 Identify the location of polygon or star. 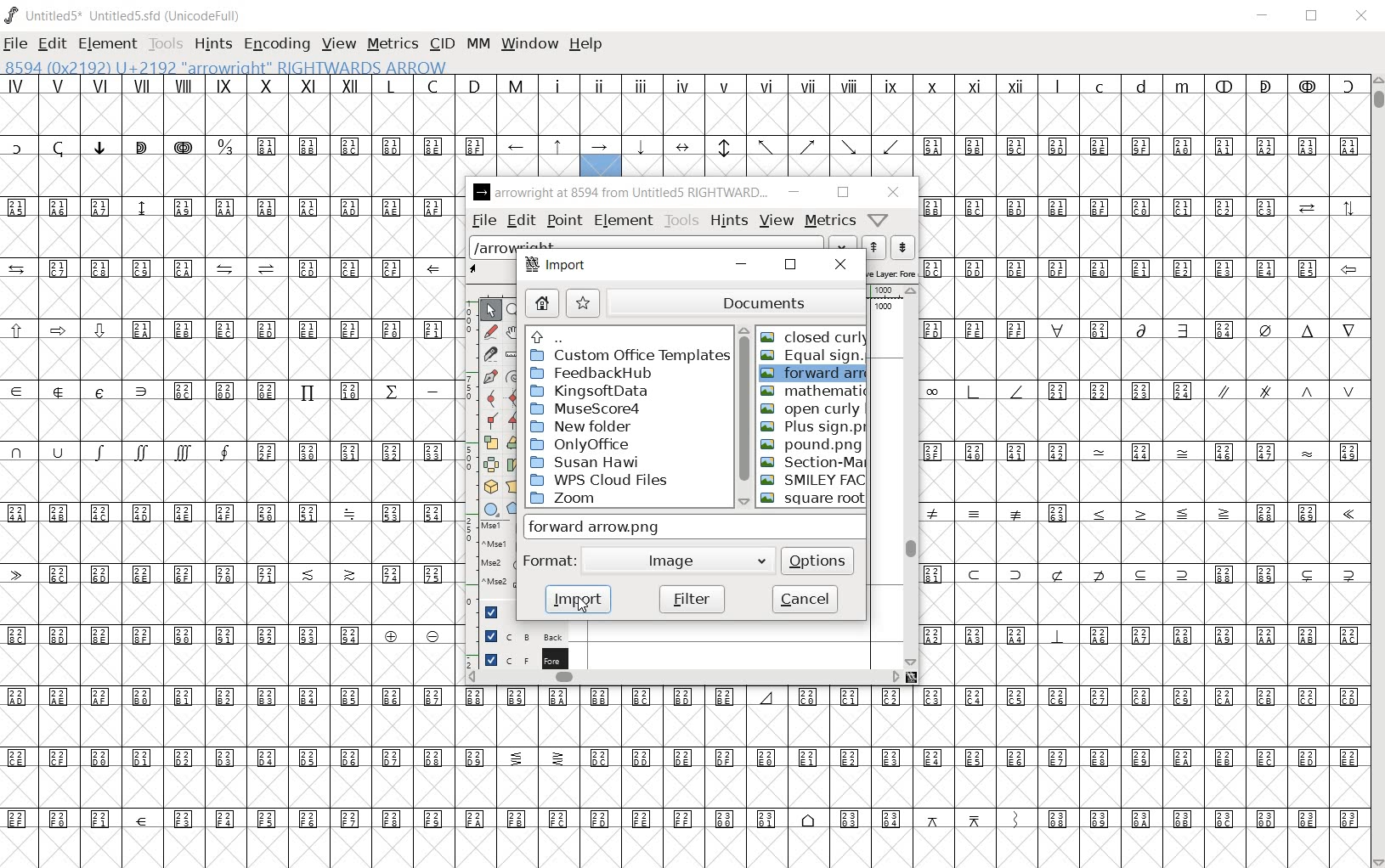
(514, 509).